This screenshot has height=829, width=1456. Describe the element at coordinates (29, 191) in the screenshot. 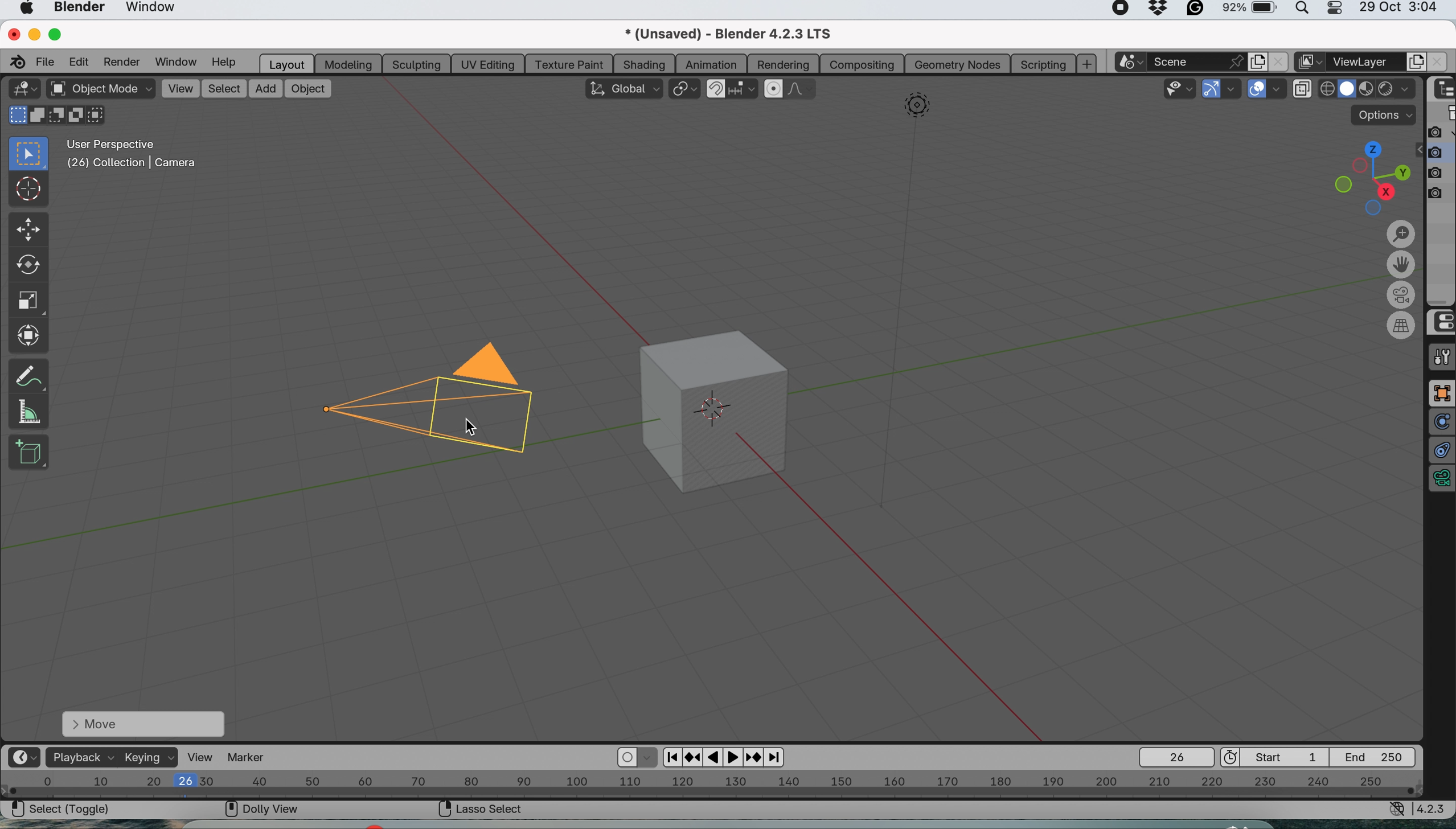

I see `cursor` at that location.